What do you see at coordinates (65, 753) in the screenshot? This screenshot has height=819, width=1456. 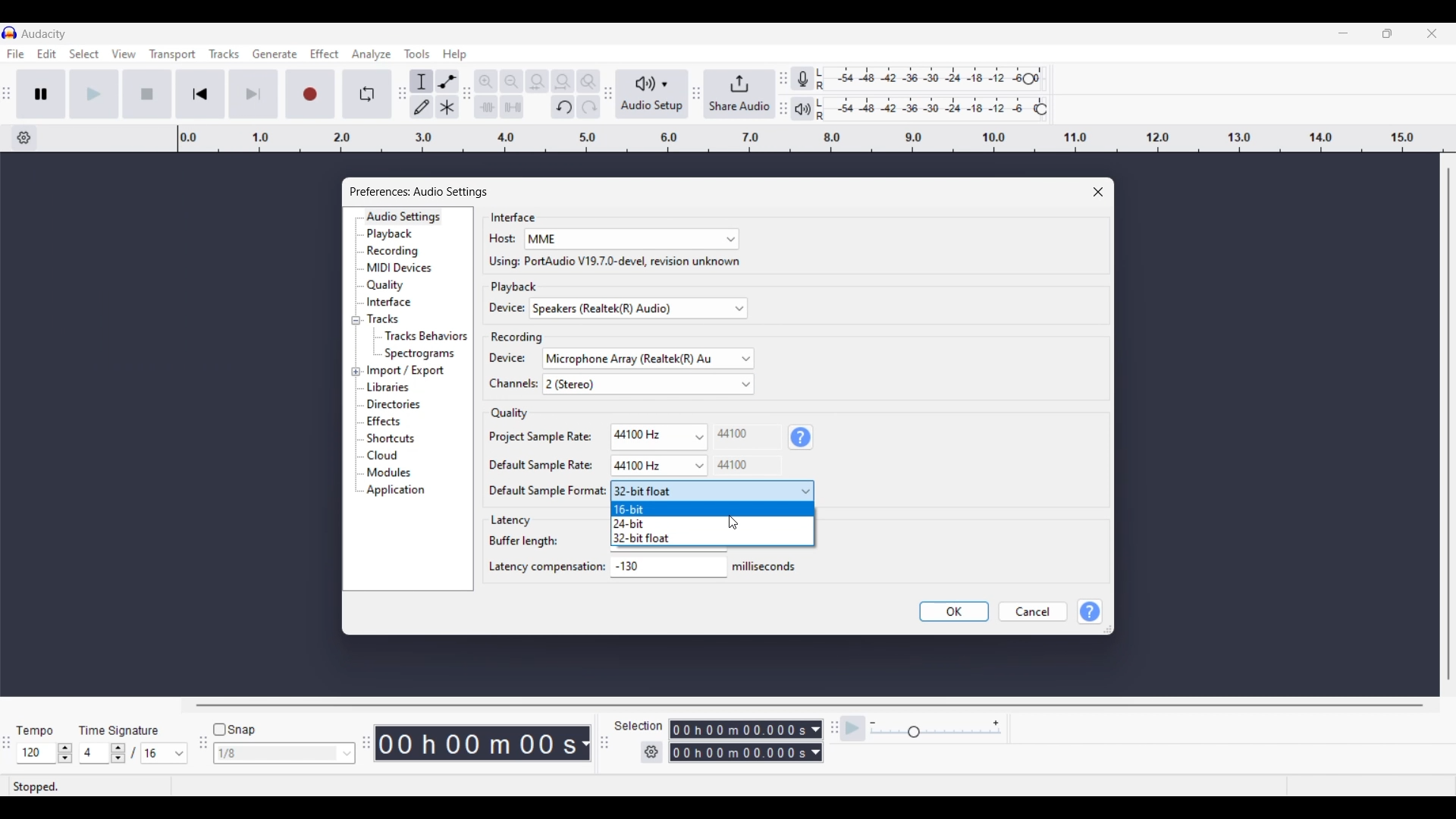 I see `Increase/Decrease tempo` at bounding box center [65, 753].